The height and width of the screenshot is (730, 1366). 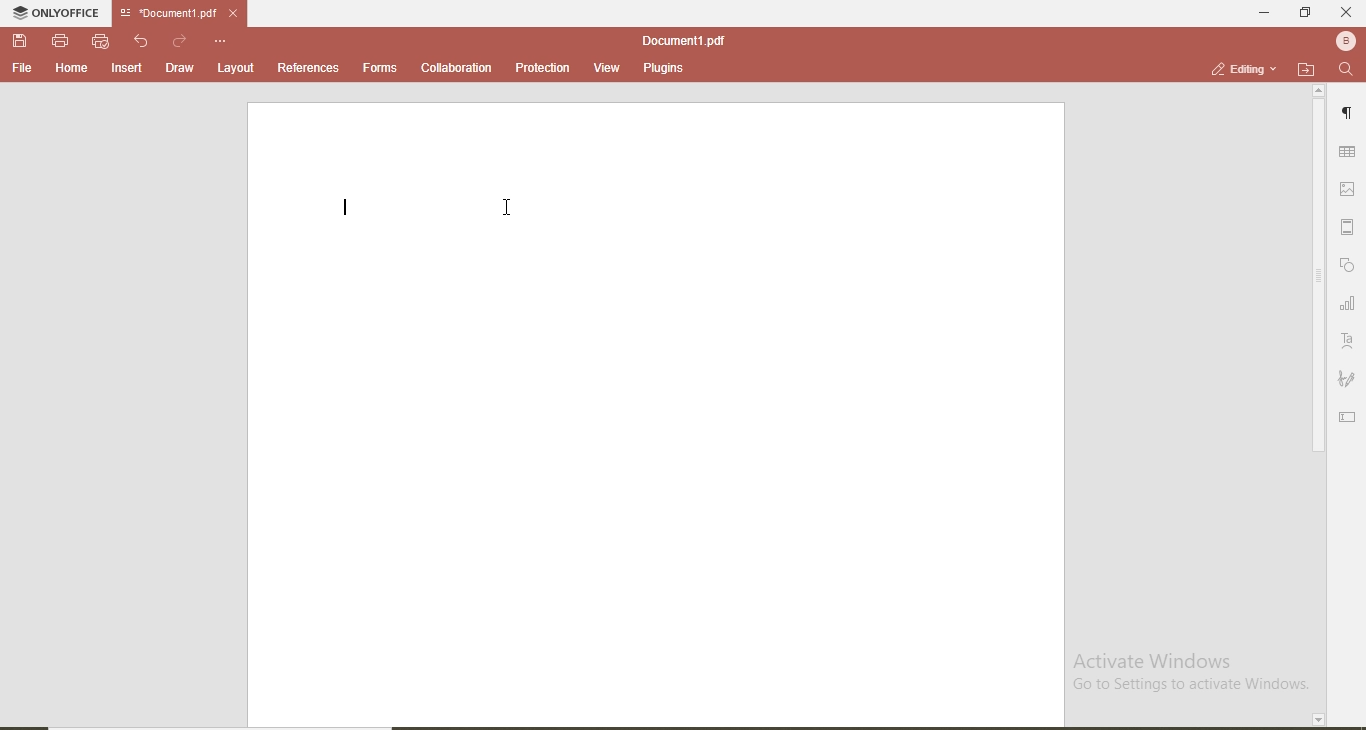 I want to click on close, so click(x=237, y=13).